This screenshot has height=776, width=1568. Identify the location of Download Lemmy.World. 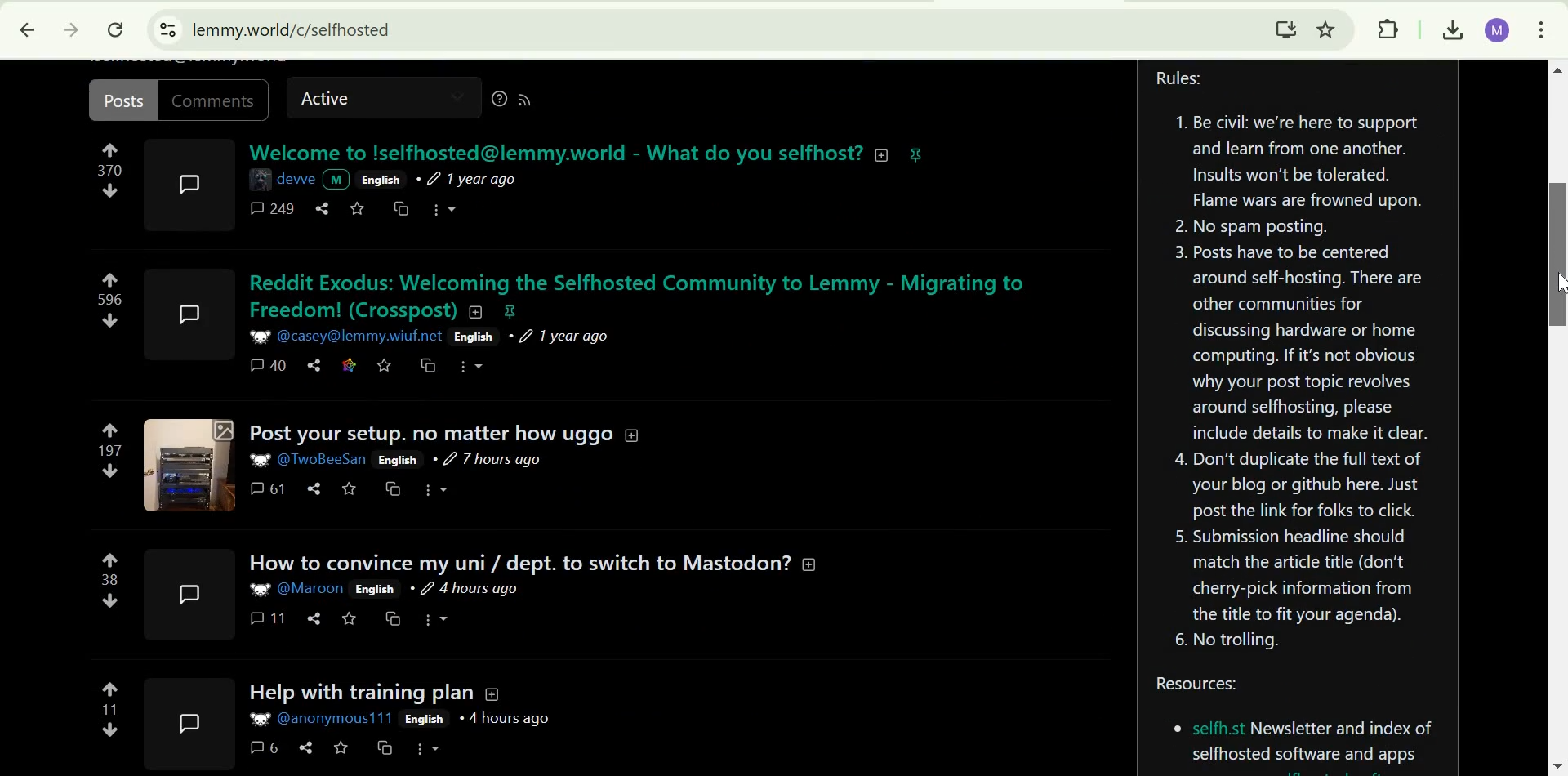
(1286, 28).